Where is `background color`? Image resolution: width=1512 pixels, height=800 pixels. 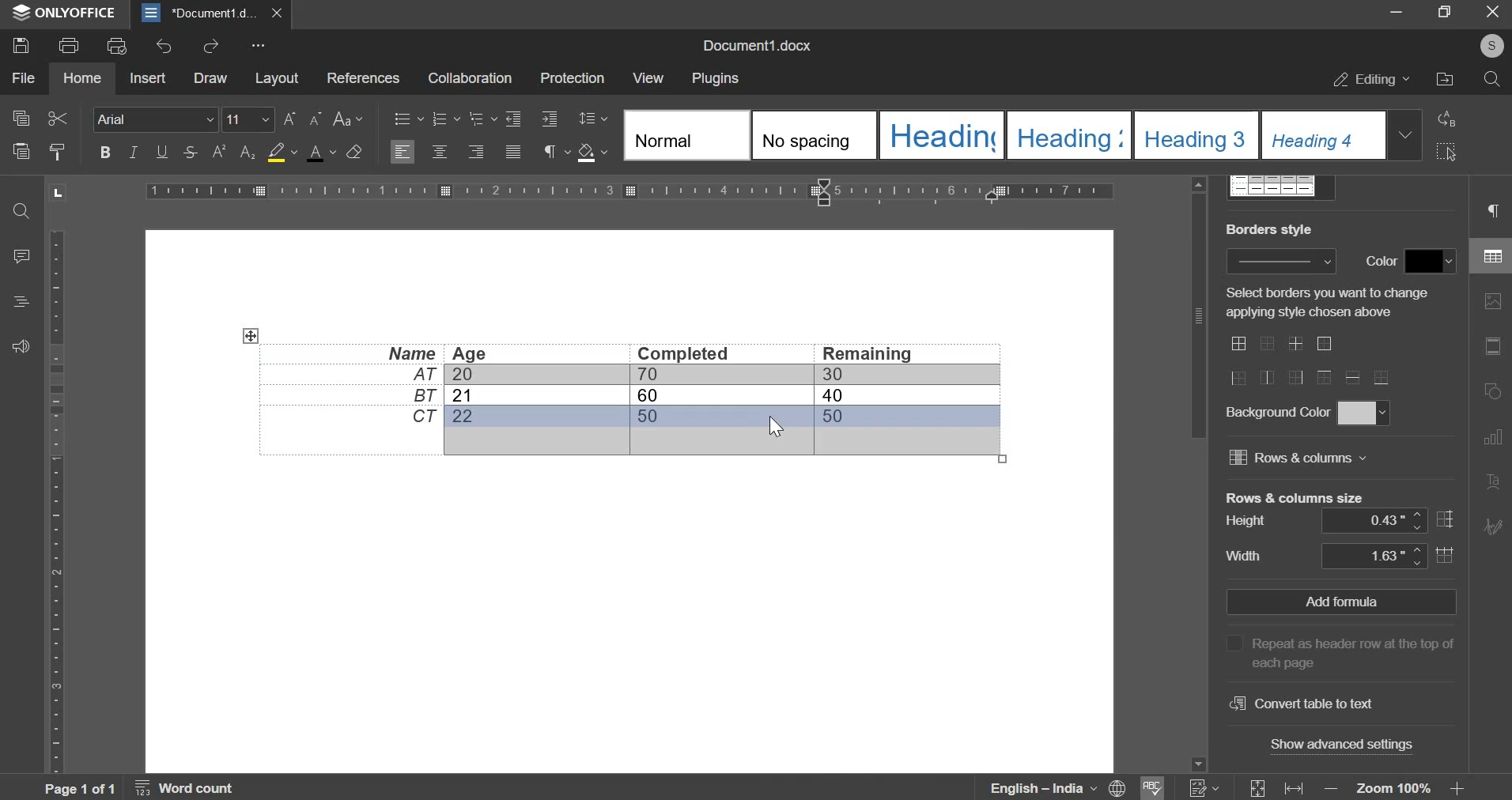
background color is located at coordinates (1362, 413).